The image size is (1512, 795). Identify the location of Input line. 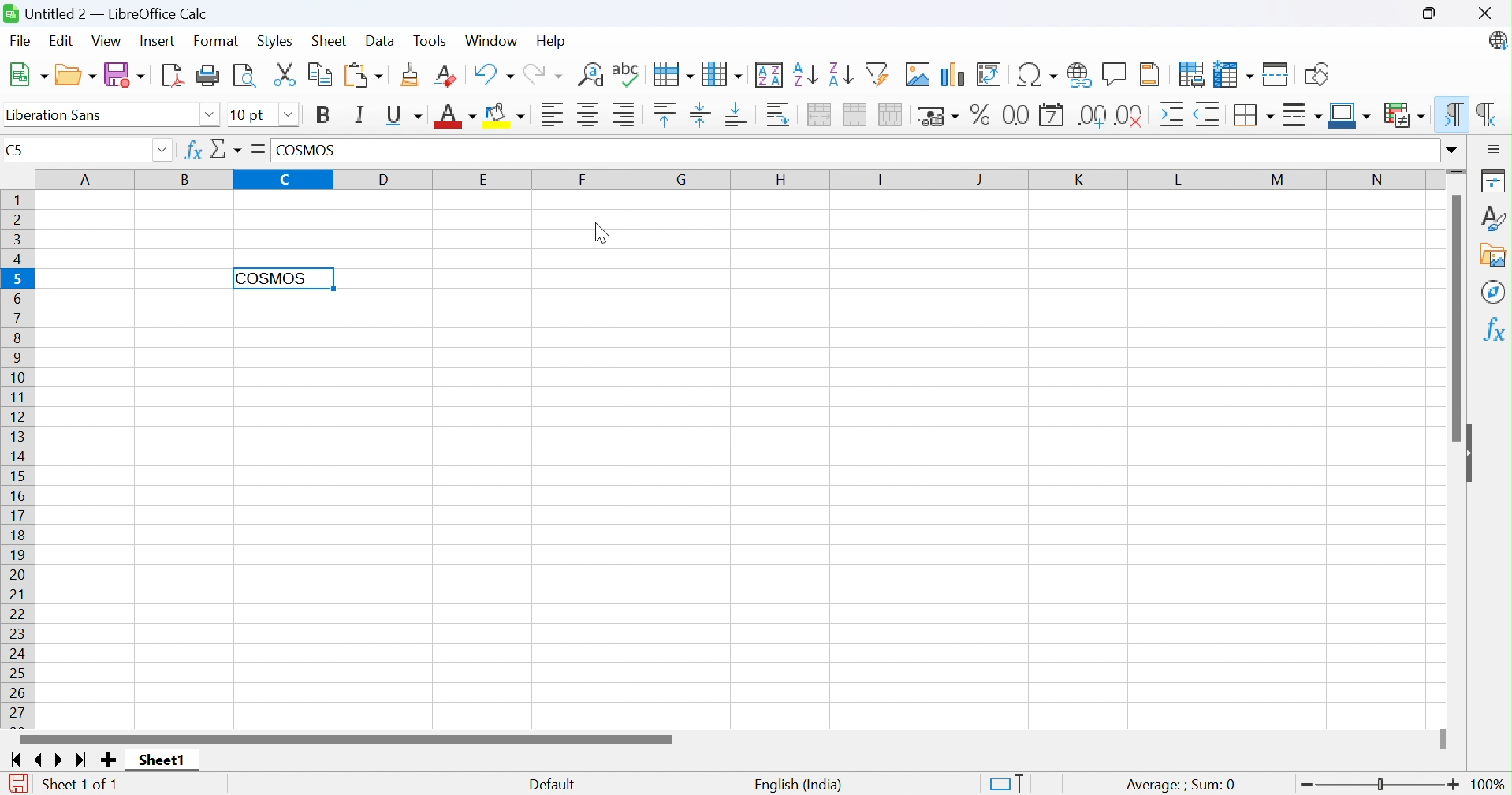
(855, 151).